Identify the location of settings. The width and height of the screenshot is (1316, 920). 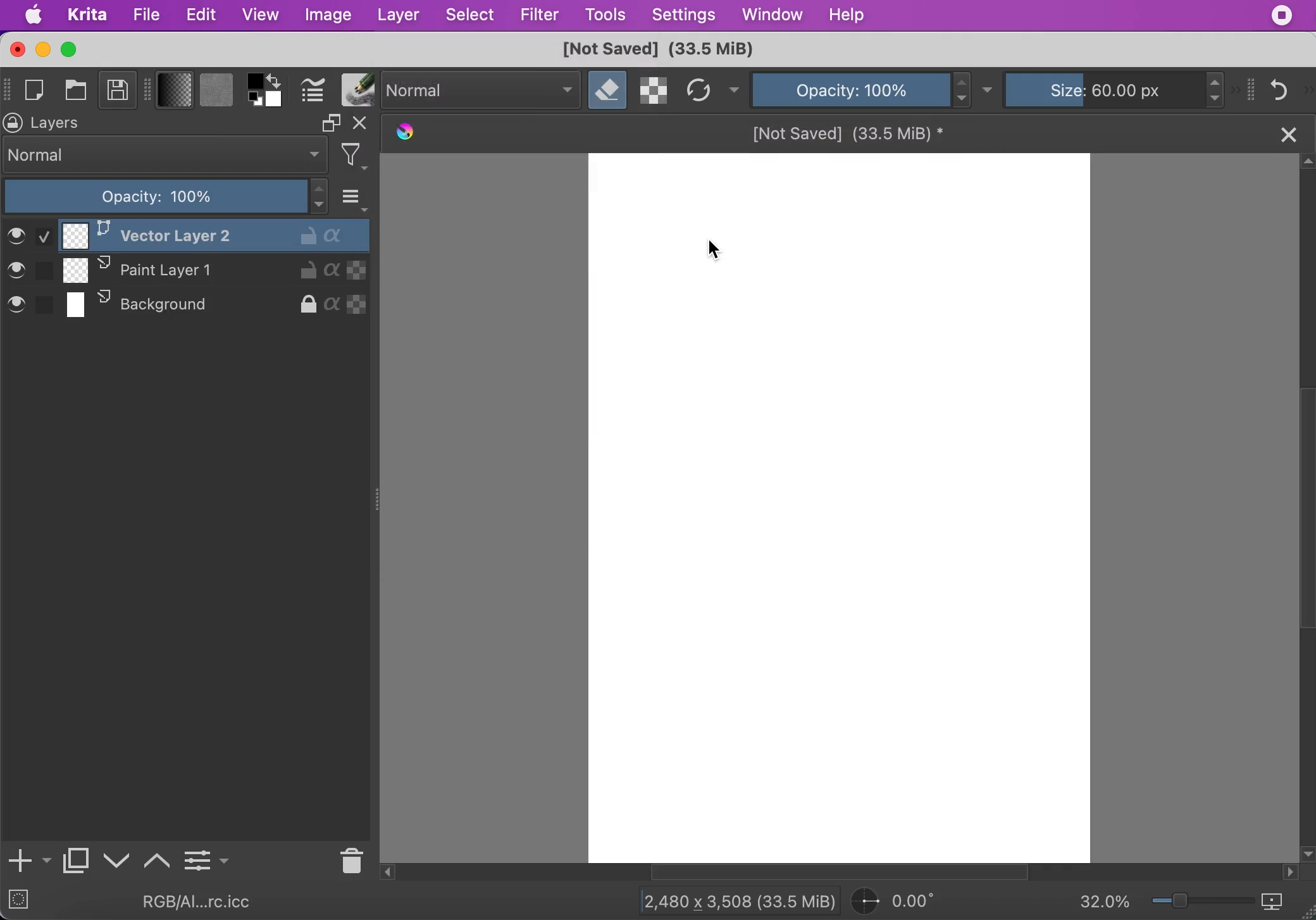
(683, 16).